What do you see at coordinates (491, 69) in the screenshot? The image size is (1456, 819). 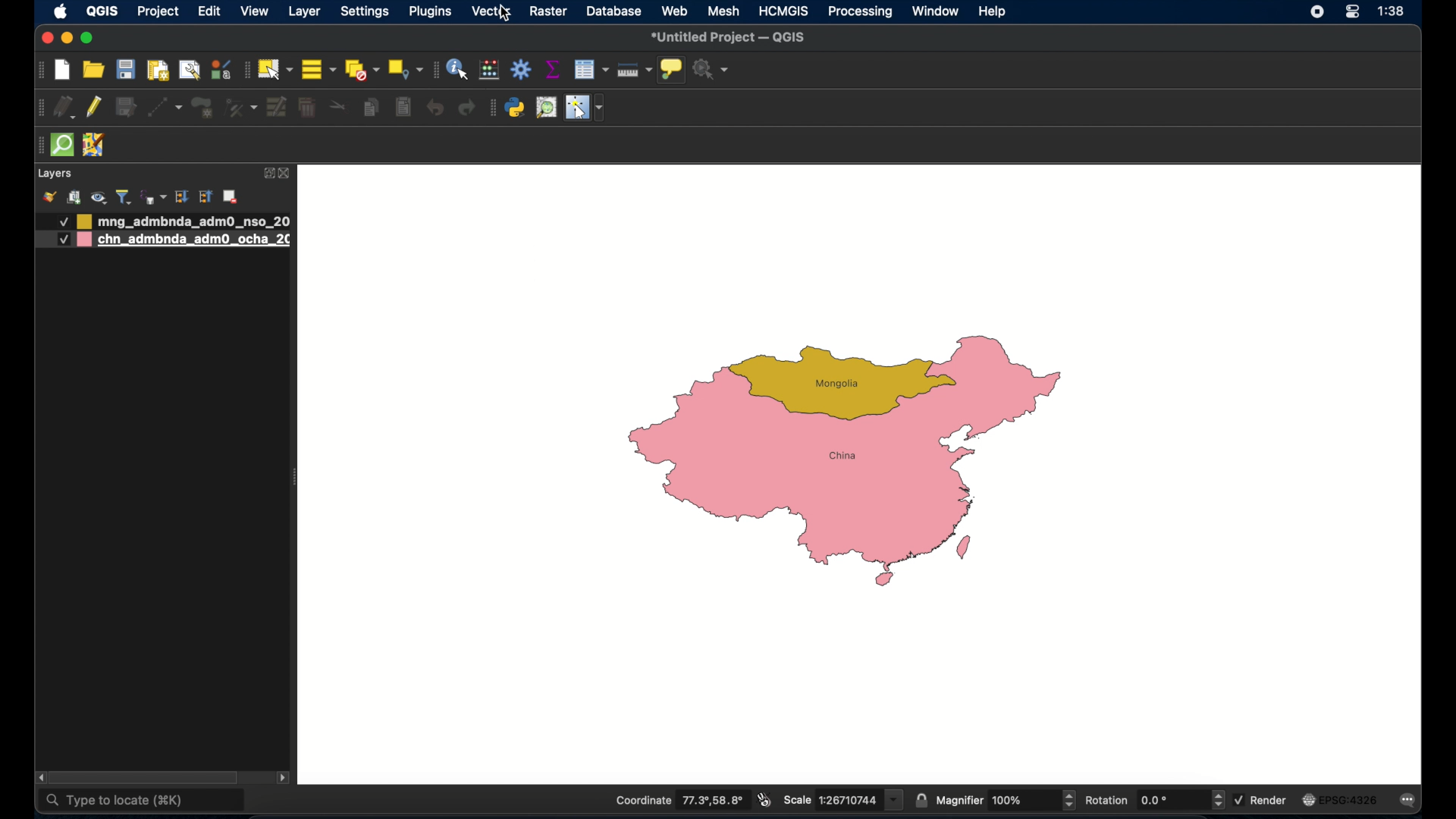 I see `open field calculator` at bounding box center [491, 69].